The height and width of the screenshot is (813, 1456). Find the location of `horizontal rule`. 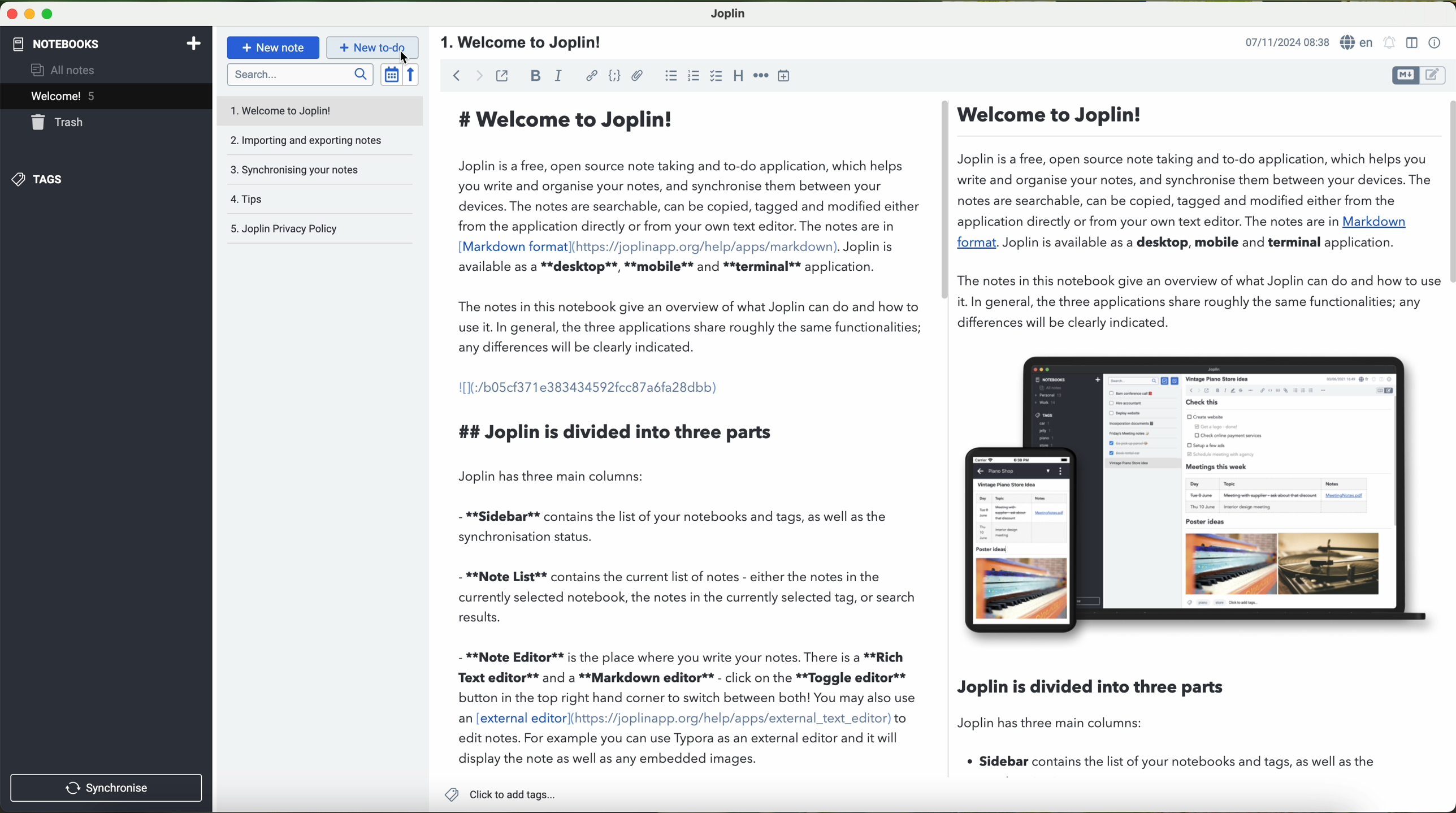

horizontal rule is located at coordinates (761, 74).